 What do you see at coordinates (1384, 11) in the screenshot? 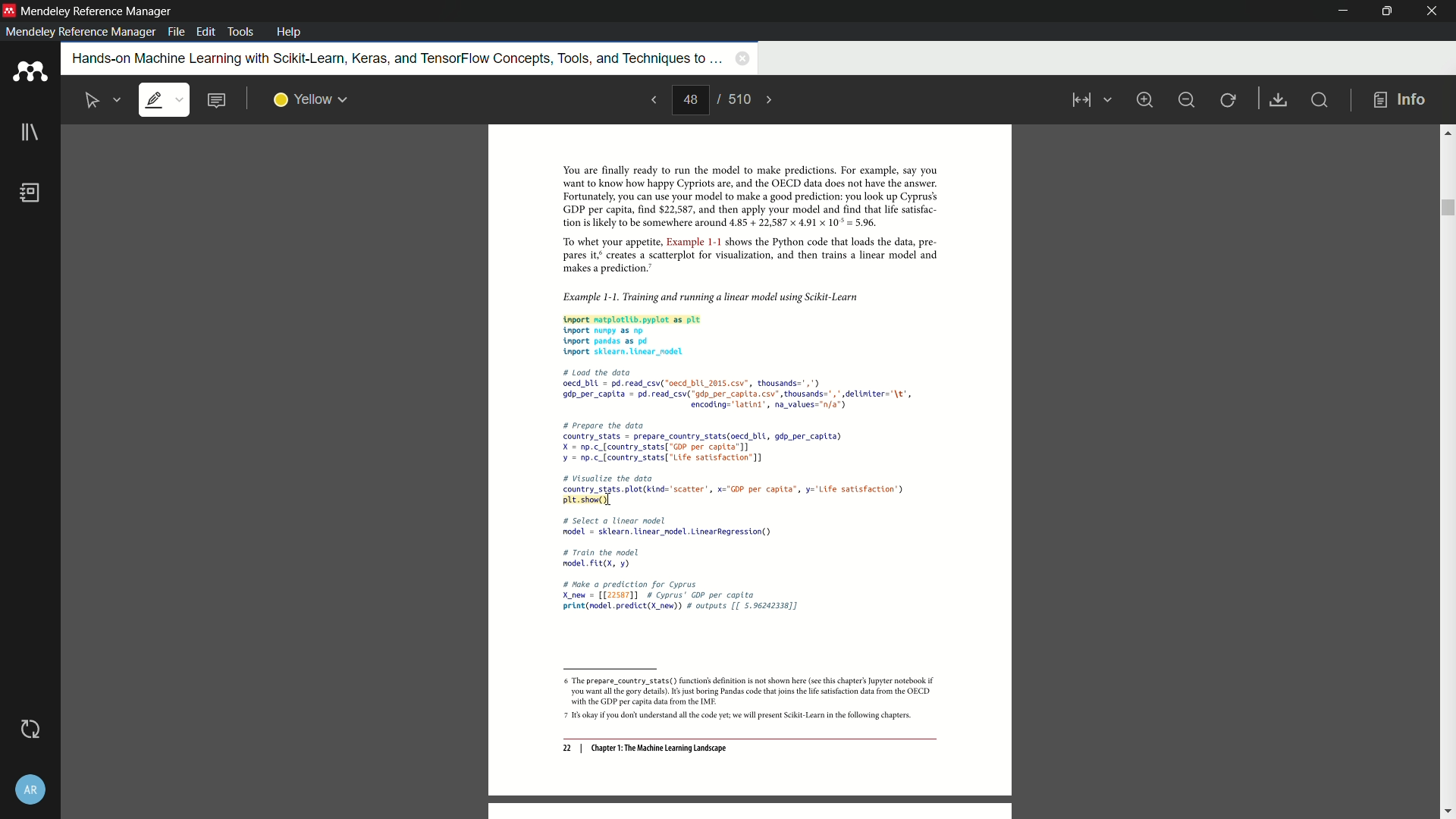
I see `maximize` at bounding box center [1384, 11].